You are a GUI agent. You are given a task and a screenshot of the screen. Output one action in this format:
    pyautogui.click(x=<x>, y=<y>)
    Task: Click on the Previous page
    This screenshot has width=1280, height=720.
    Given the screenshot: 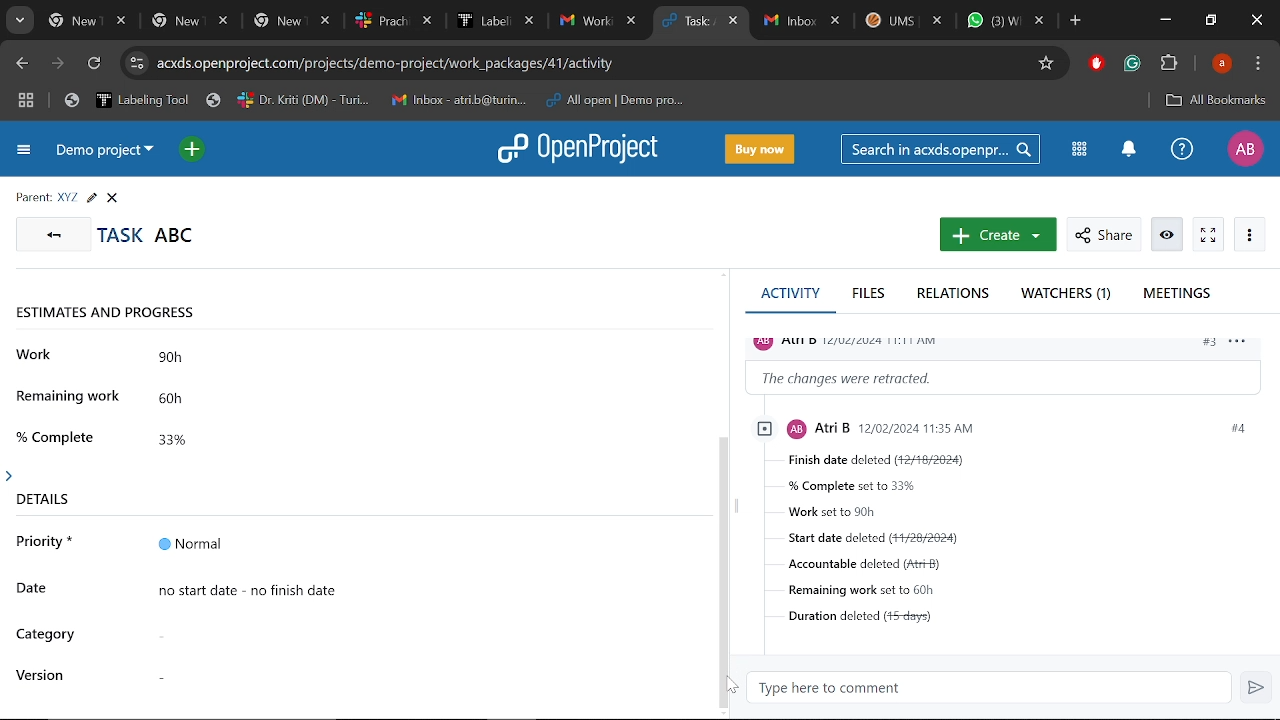 What is the action you would take?
    pyautogui.click(x=23, y=64)
    